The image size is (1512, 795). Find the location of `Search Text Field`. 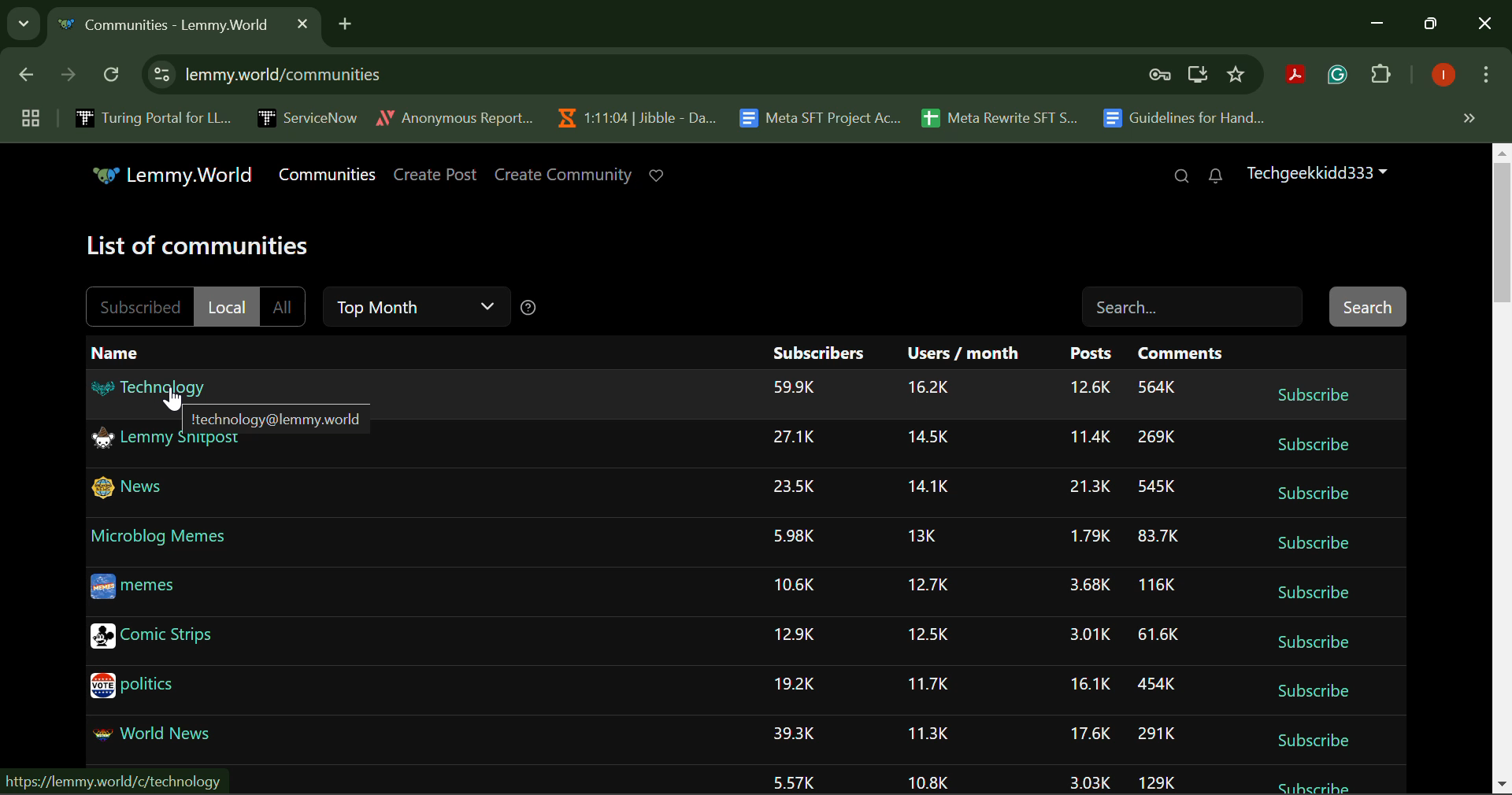

Search Text Field is located at coordinates (1195, 306).